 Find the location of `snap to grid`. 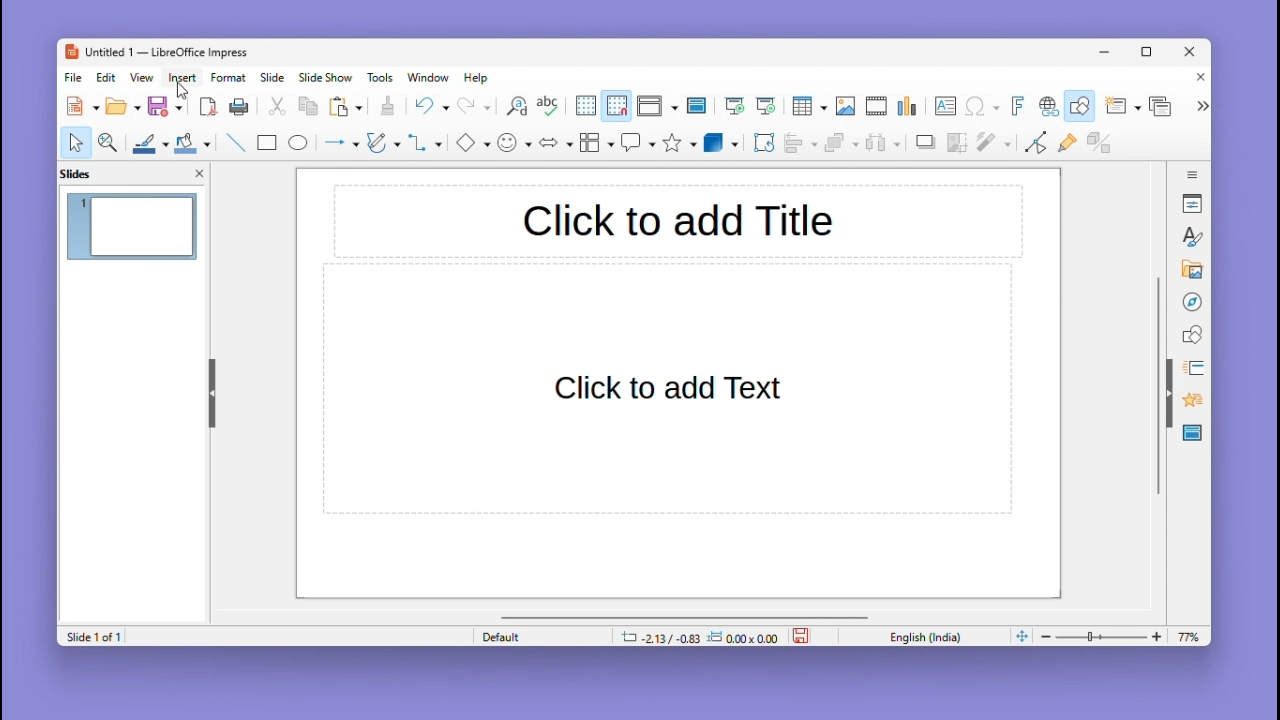

snap to grid is located at coordinates (616, 106).